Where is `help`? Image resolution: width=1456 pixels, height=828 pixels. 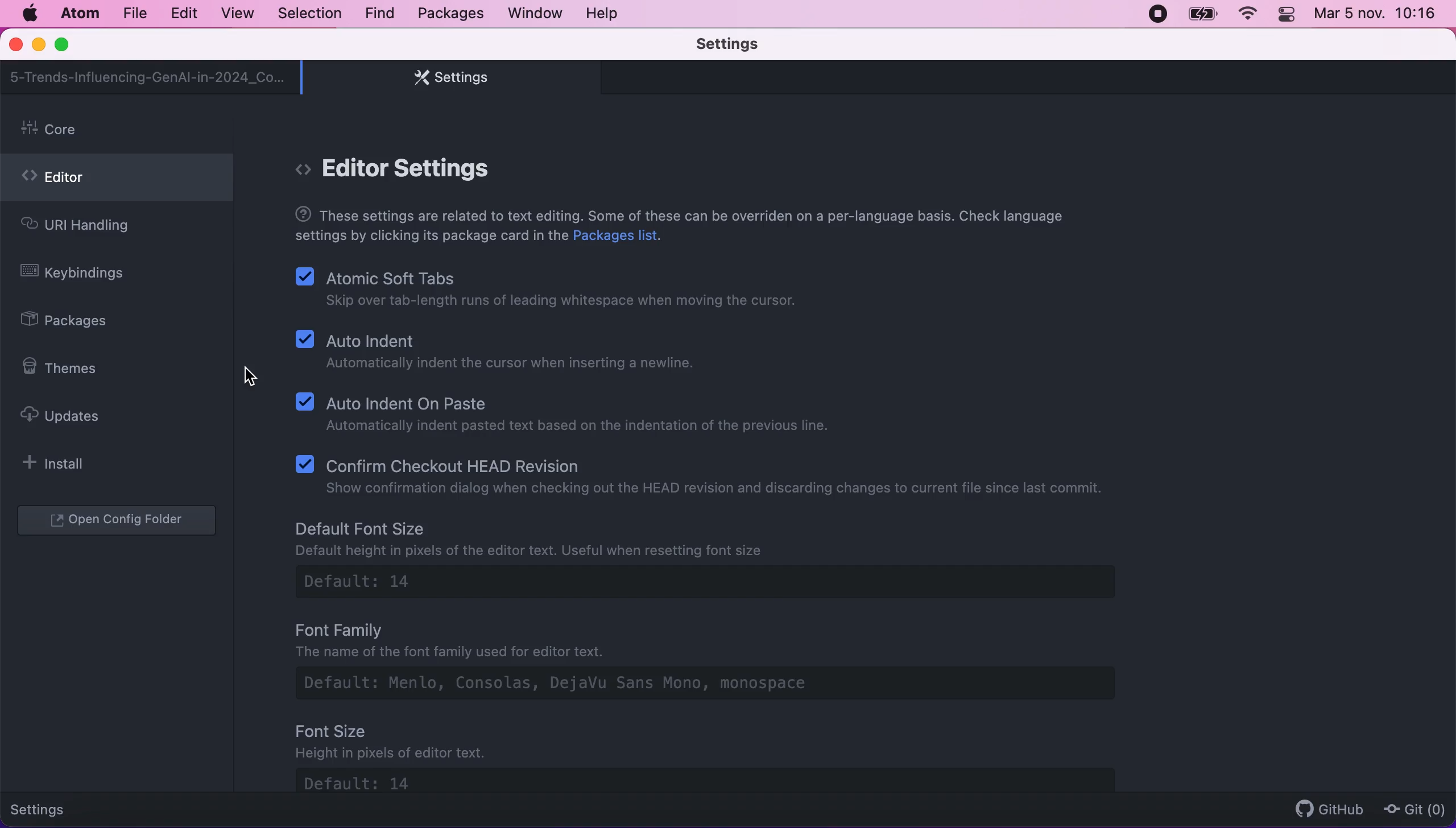
help is located at coordinates (605, 13).